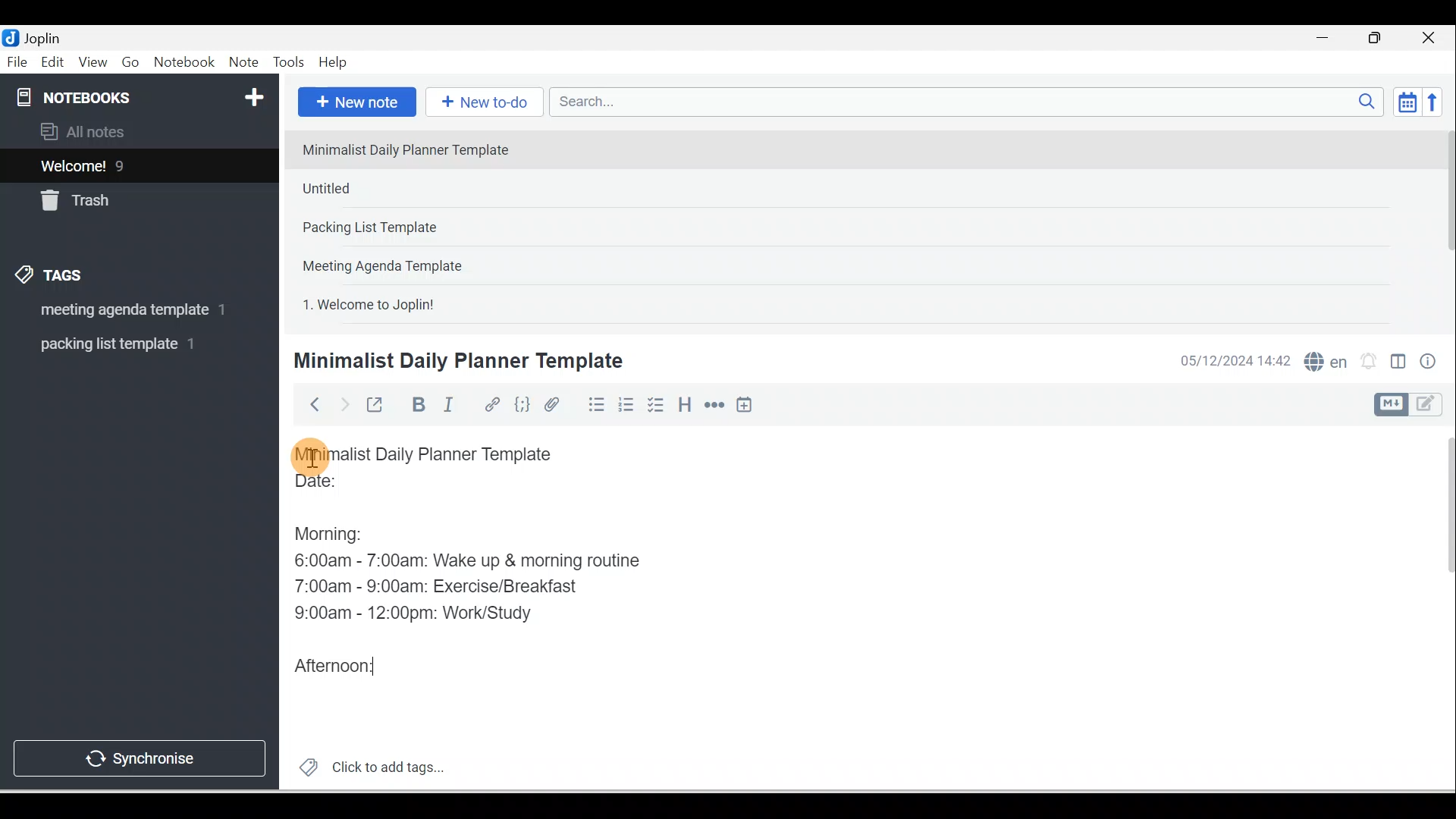 The image size is (1456, 819). What do you see at coordinates (1398, 364) in the screenshot?
I see `Toggle editors` at bounding box center [1398, 364].